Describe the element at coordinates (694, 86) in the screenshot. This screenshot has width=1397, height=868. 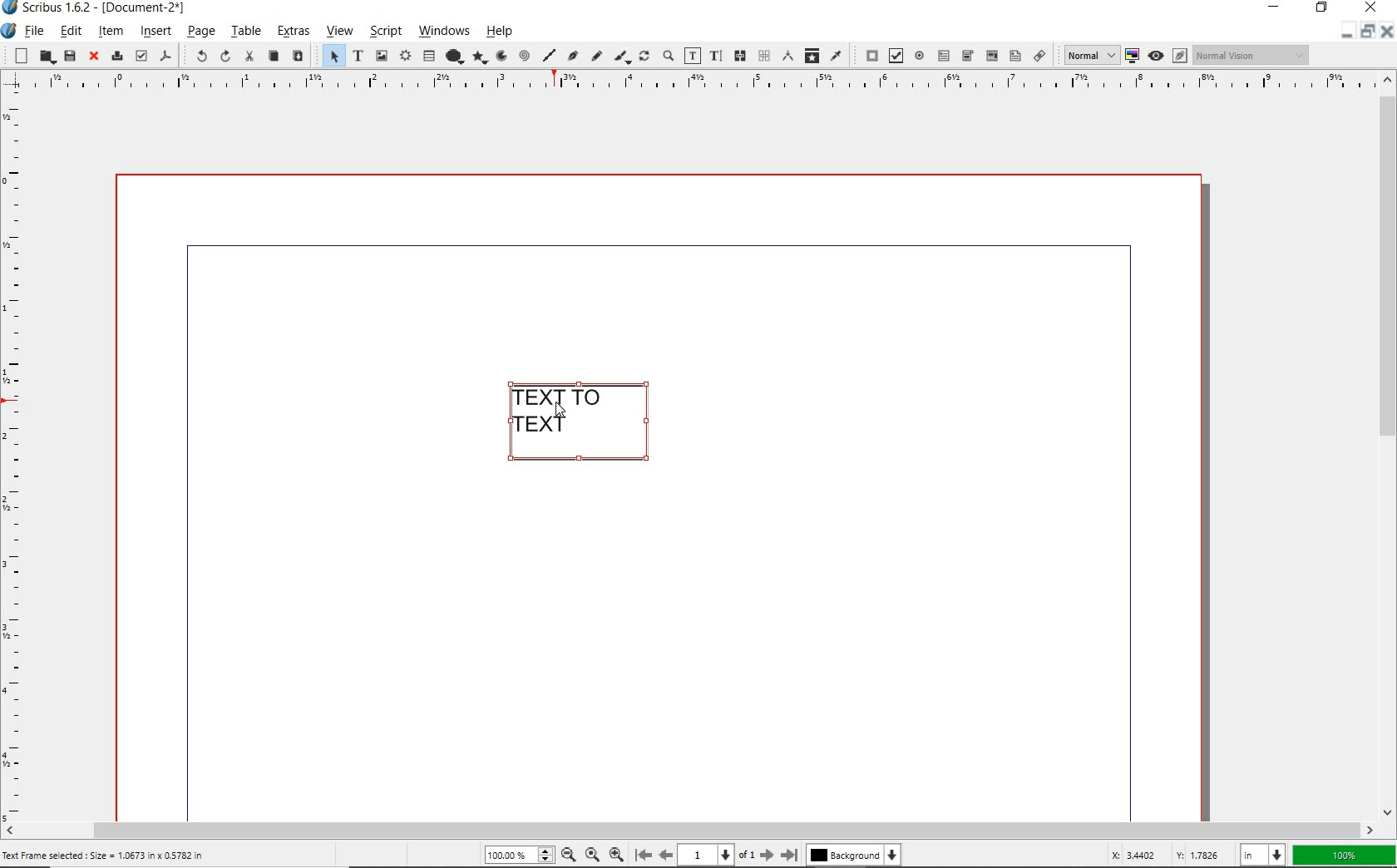
I see `ruler` at that location.